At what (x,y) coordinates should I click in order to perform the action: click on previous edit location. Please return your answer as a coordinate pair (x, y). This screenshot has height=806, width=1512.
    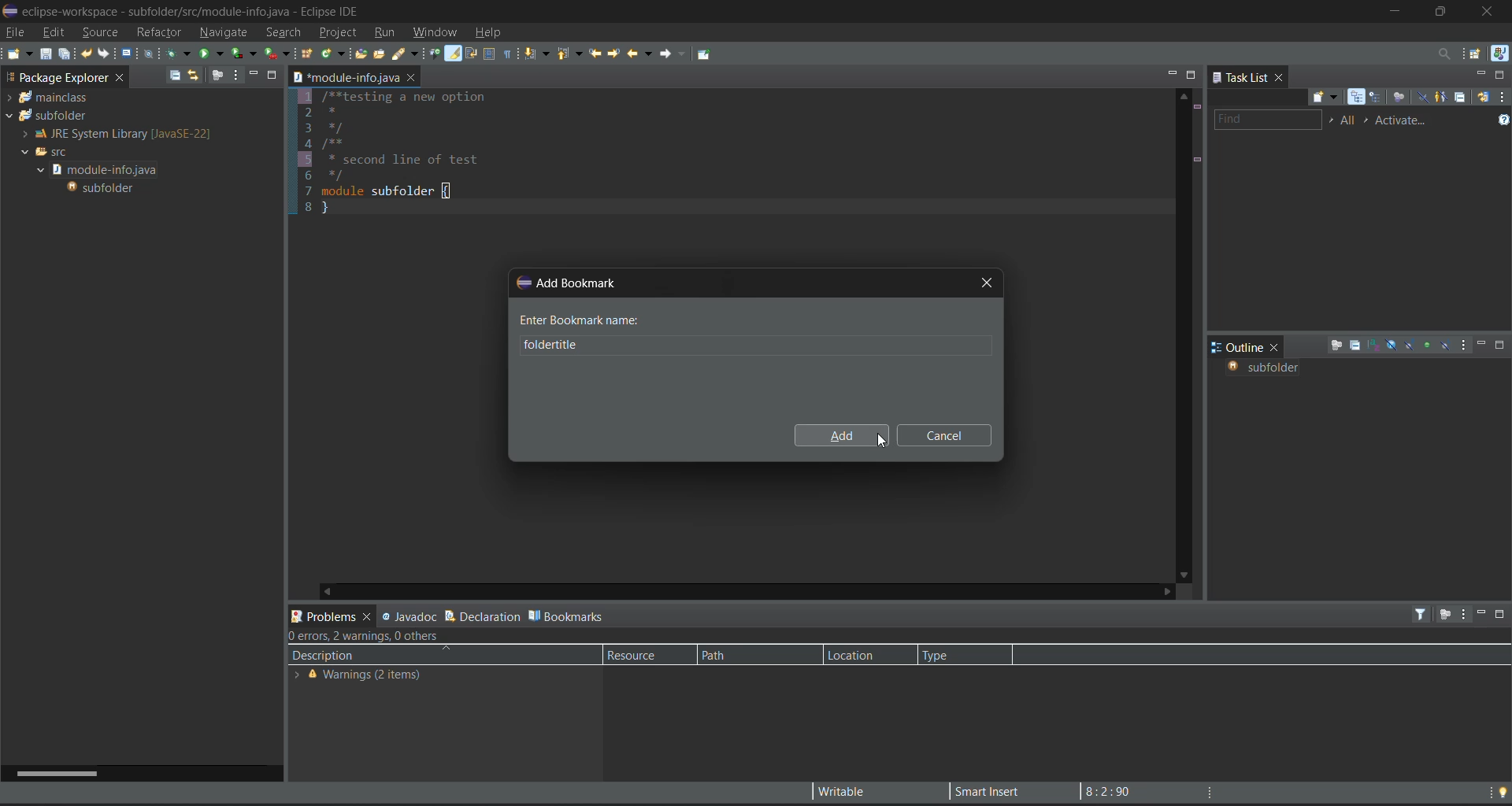
    Looking at the image, I should click on (596, 54).